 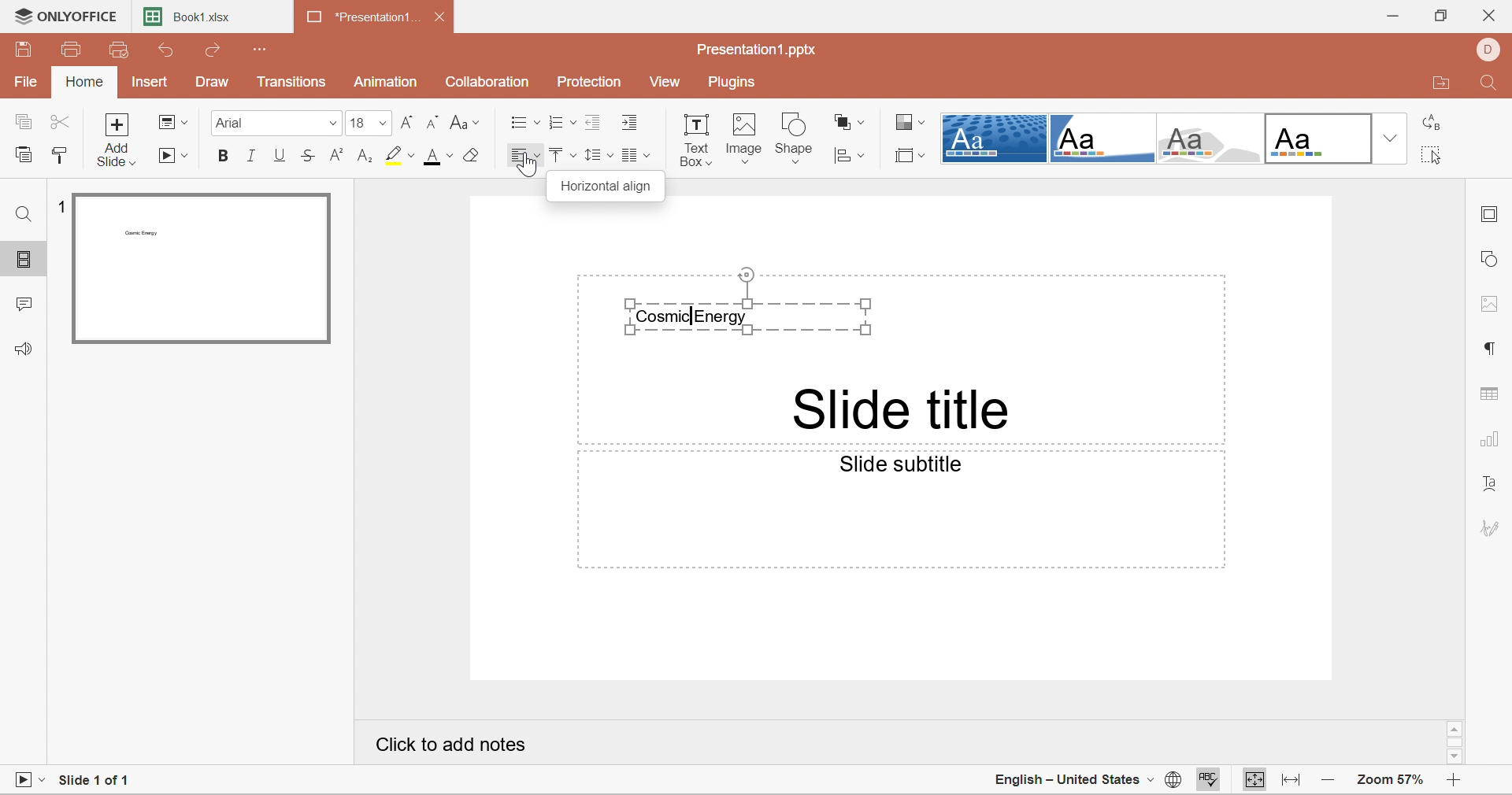 I want to click on Quick Print, so click(x=117, y=50).